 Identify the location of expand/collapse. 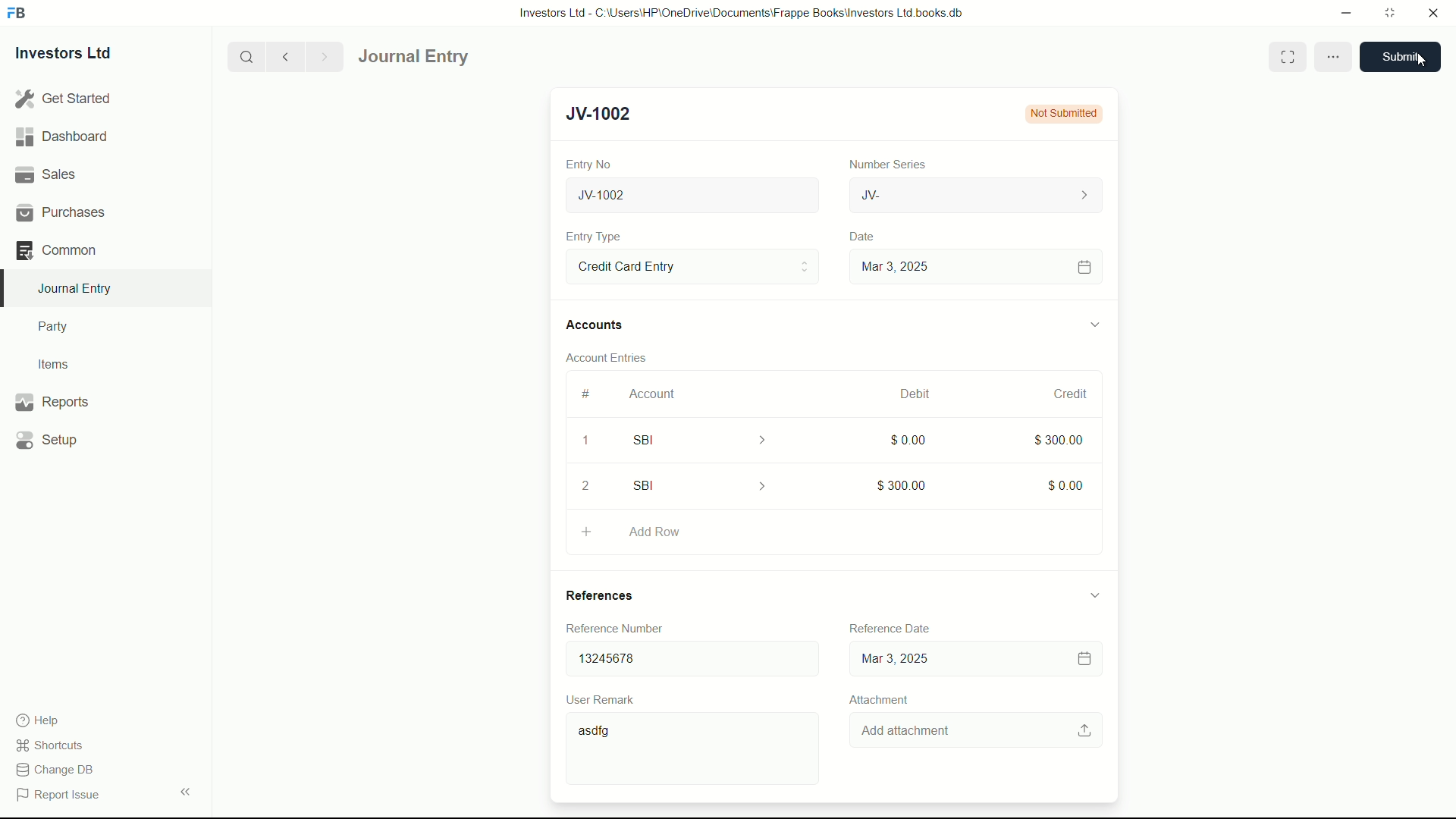
(185, 790).